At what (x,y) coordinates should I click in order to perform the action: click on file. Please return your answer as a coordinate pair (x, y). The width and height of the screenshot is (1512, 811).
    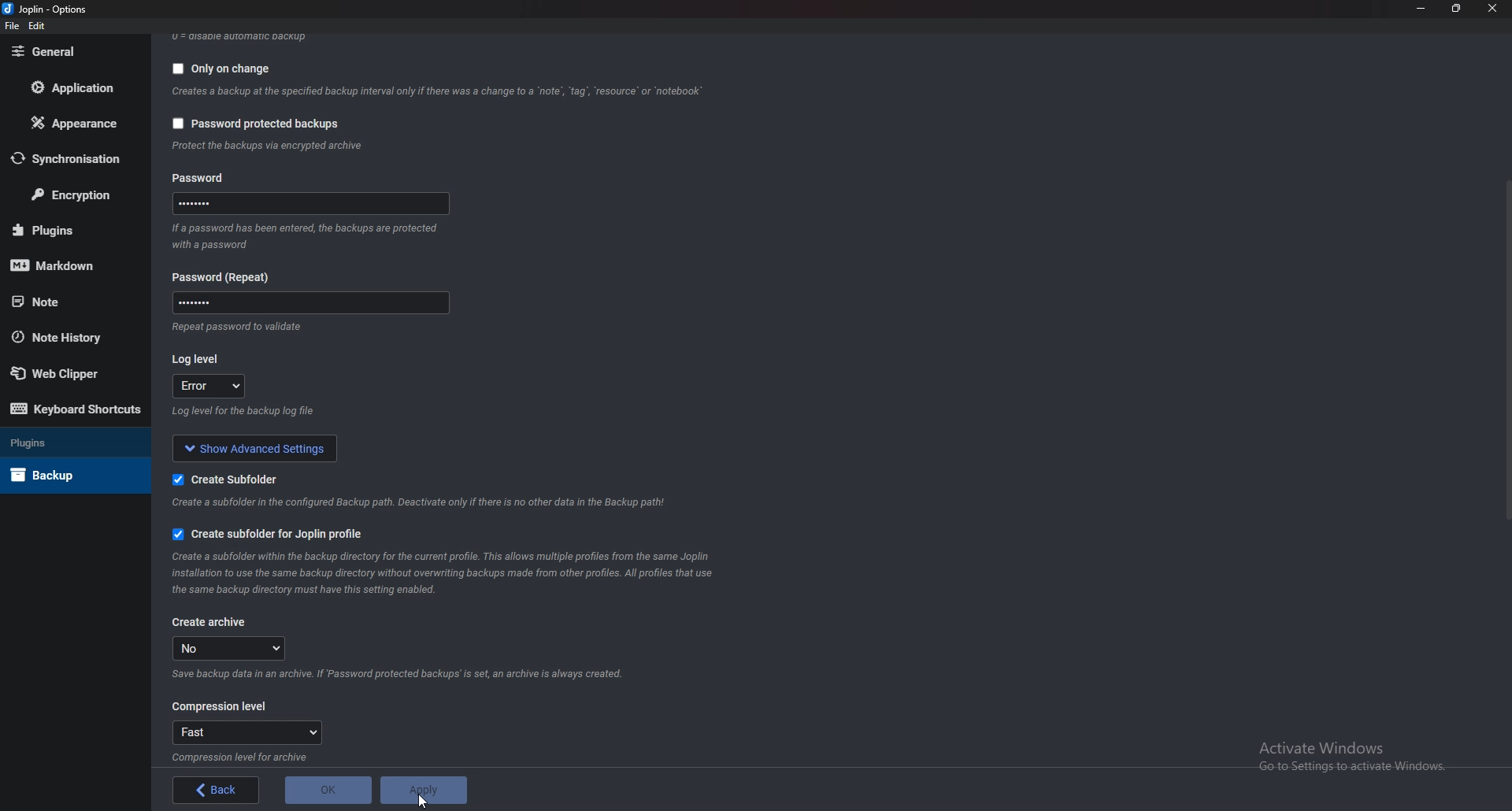
    Looking at the image, I should click on (13, 26).